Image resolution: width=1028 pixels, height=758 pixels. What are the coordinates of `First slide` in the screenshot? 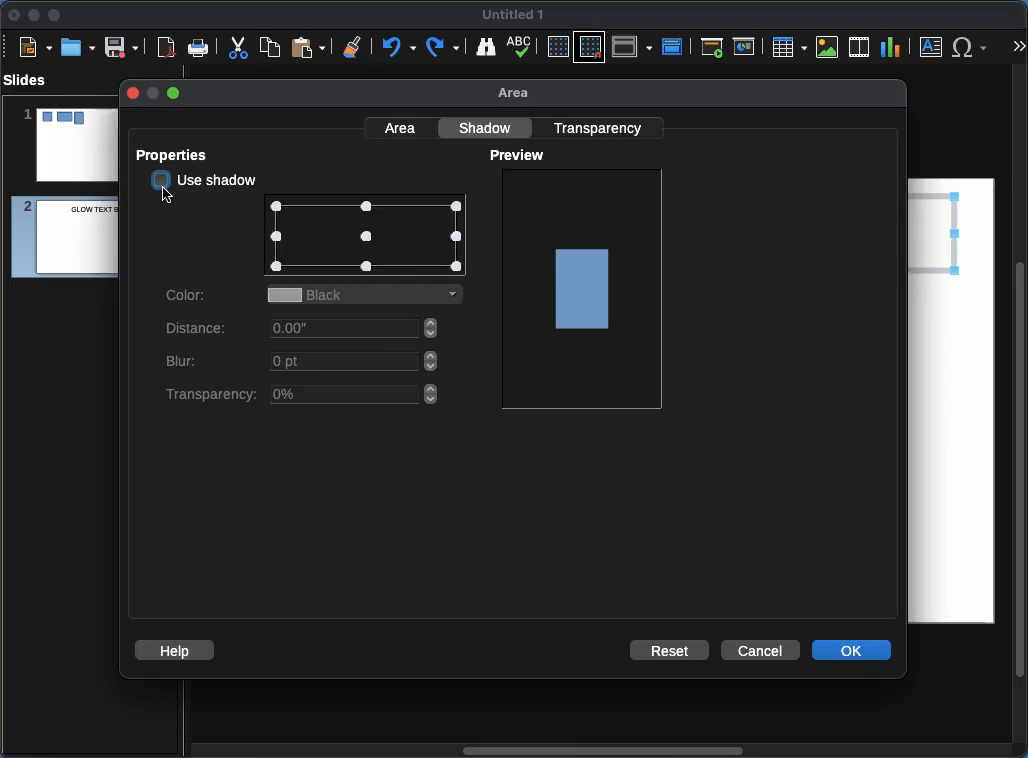 It's located at (712, 47).